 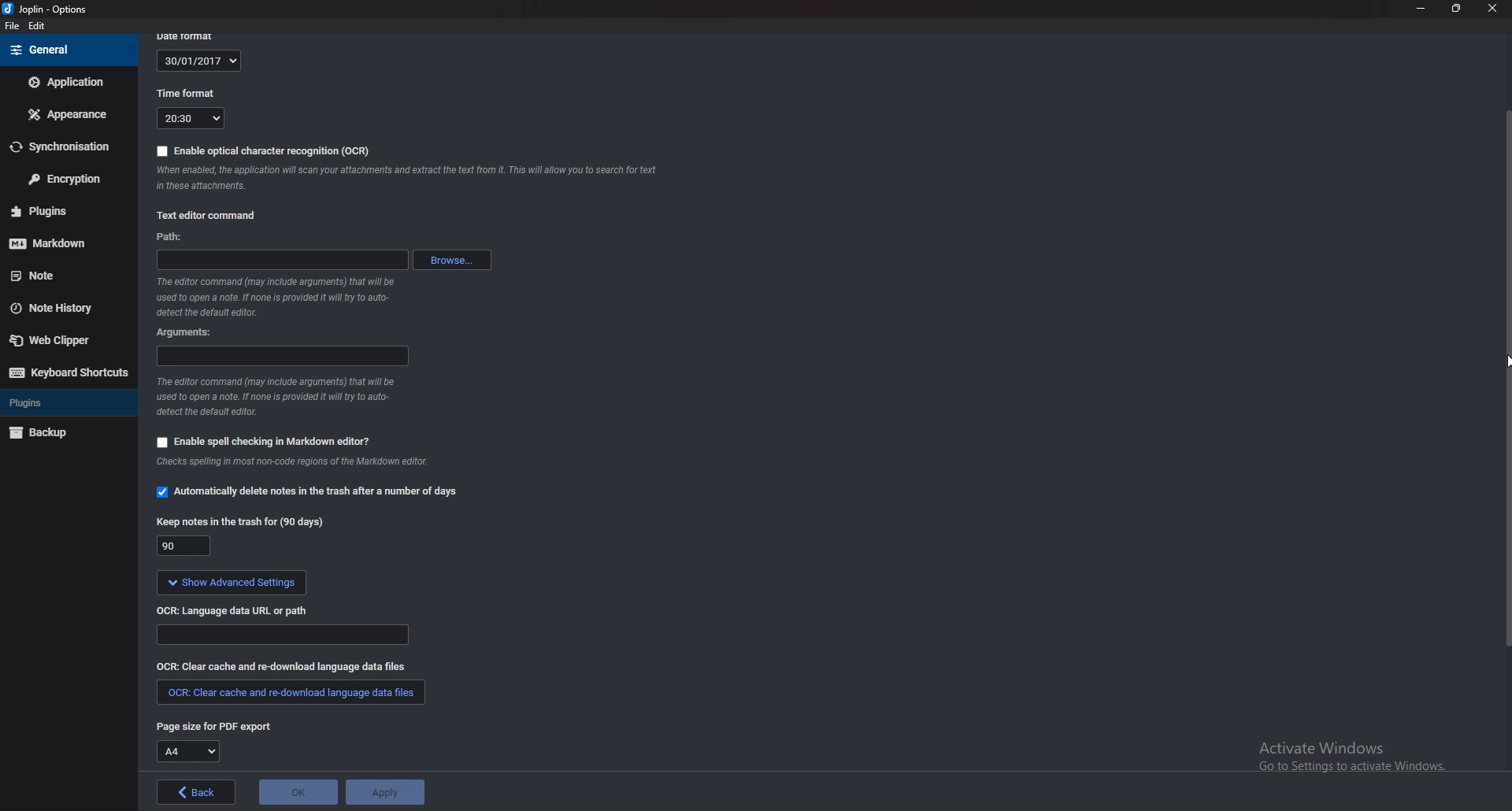 What do you see at coordinates (209, 216) in the screenshot?
I see `Text editor command` at bounding box center [209, 216].